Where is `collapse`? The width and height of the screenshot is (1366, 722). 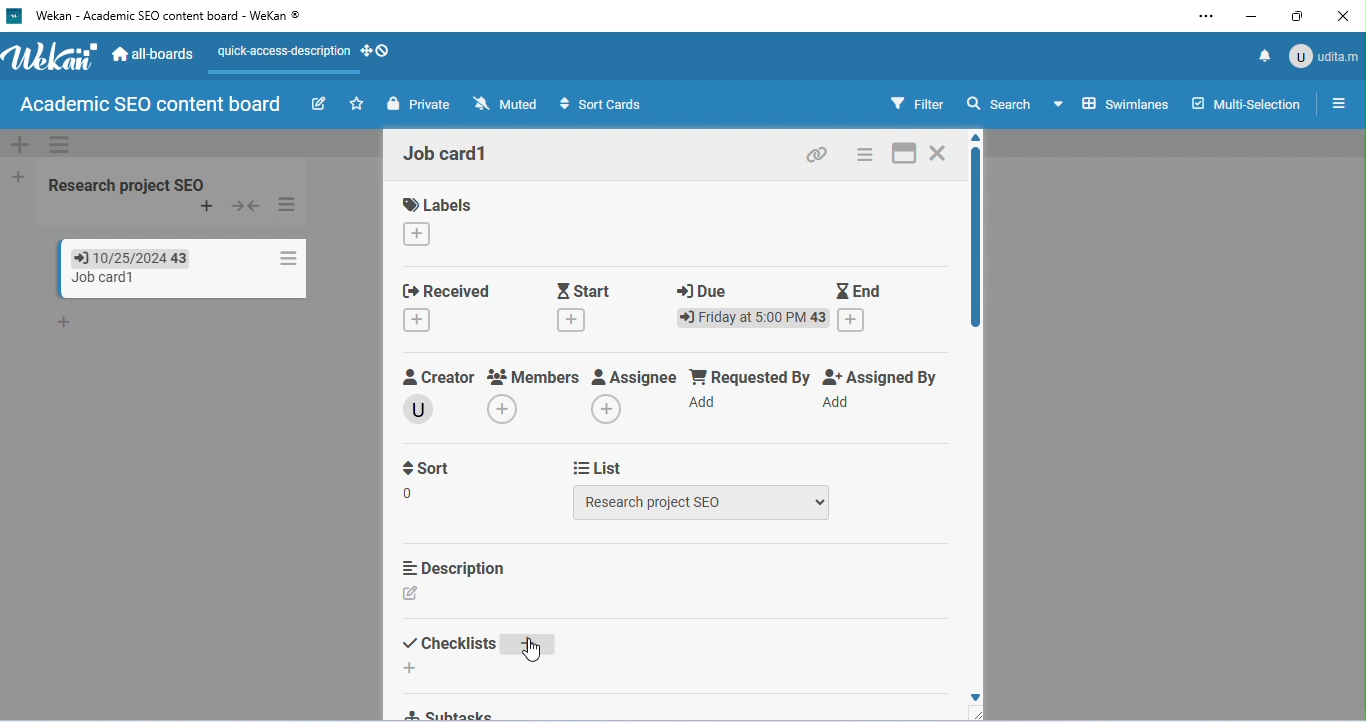
collapse is located at coordinates (248, 206).